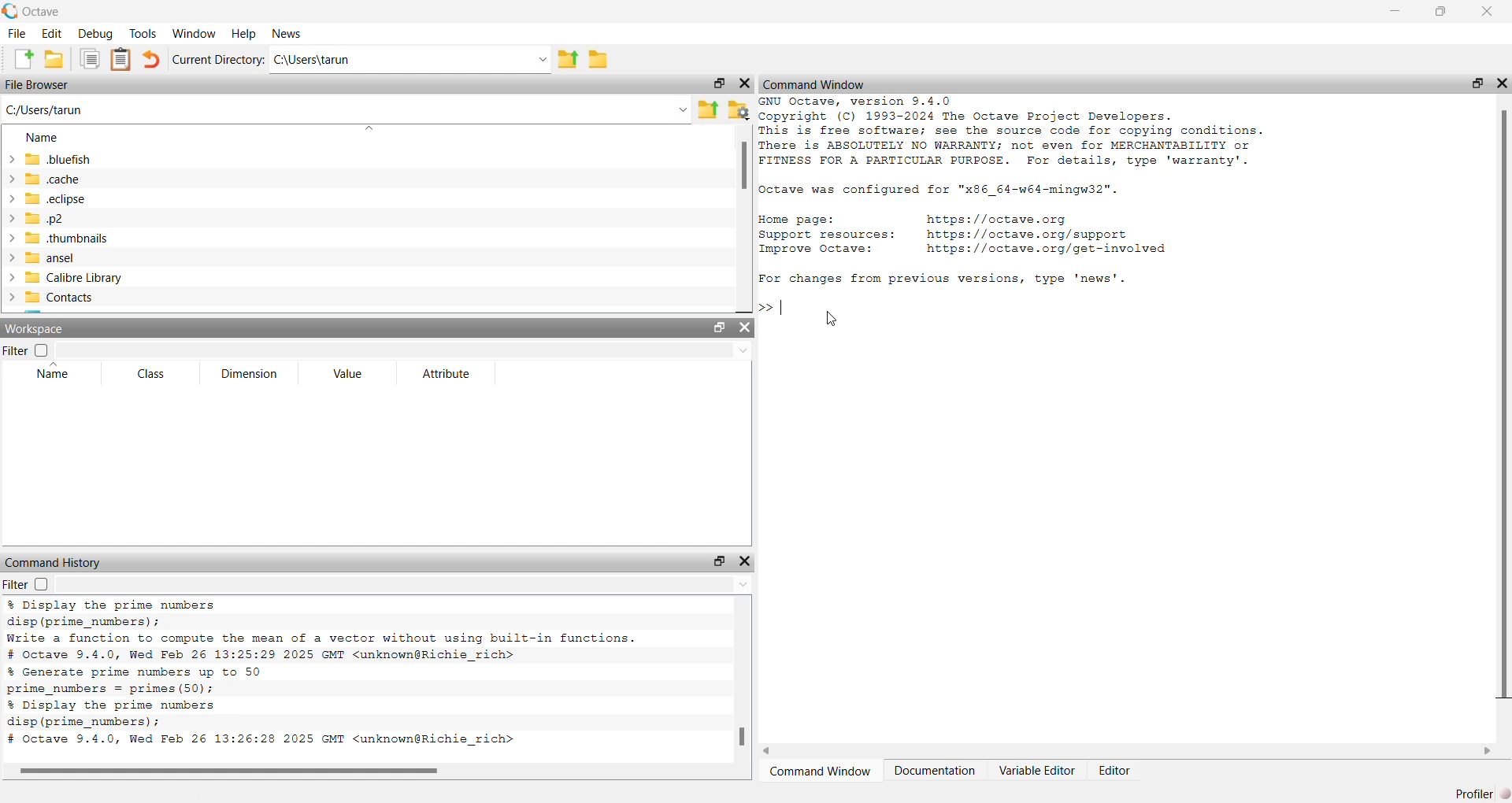 Image resolution: width=1512 pixels, height=803 pixels. I want to click on C:/Users/tarun, so click(44, 109).